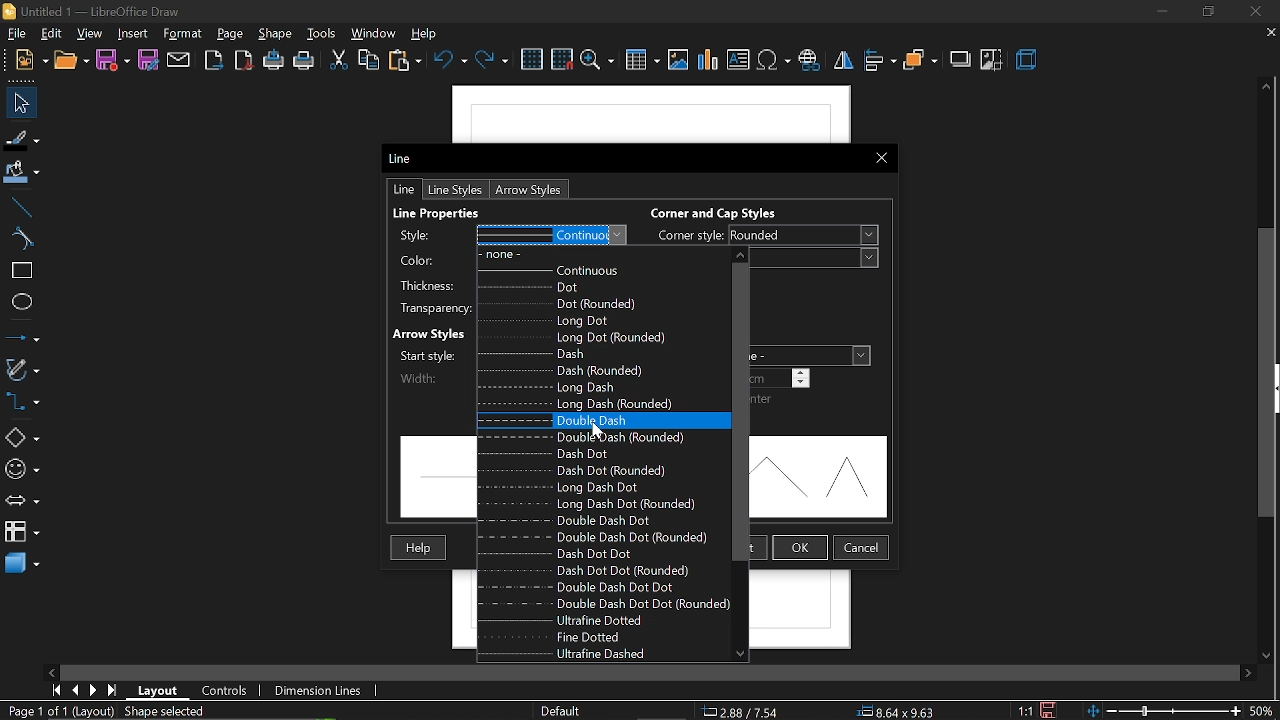 Image resolution: width=1280 pixels, height=720 pixels. What do you see at coordinates (77, 691) in the screenshot?
I see `previous page` at bounding box center [77, 691].